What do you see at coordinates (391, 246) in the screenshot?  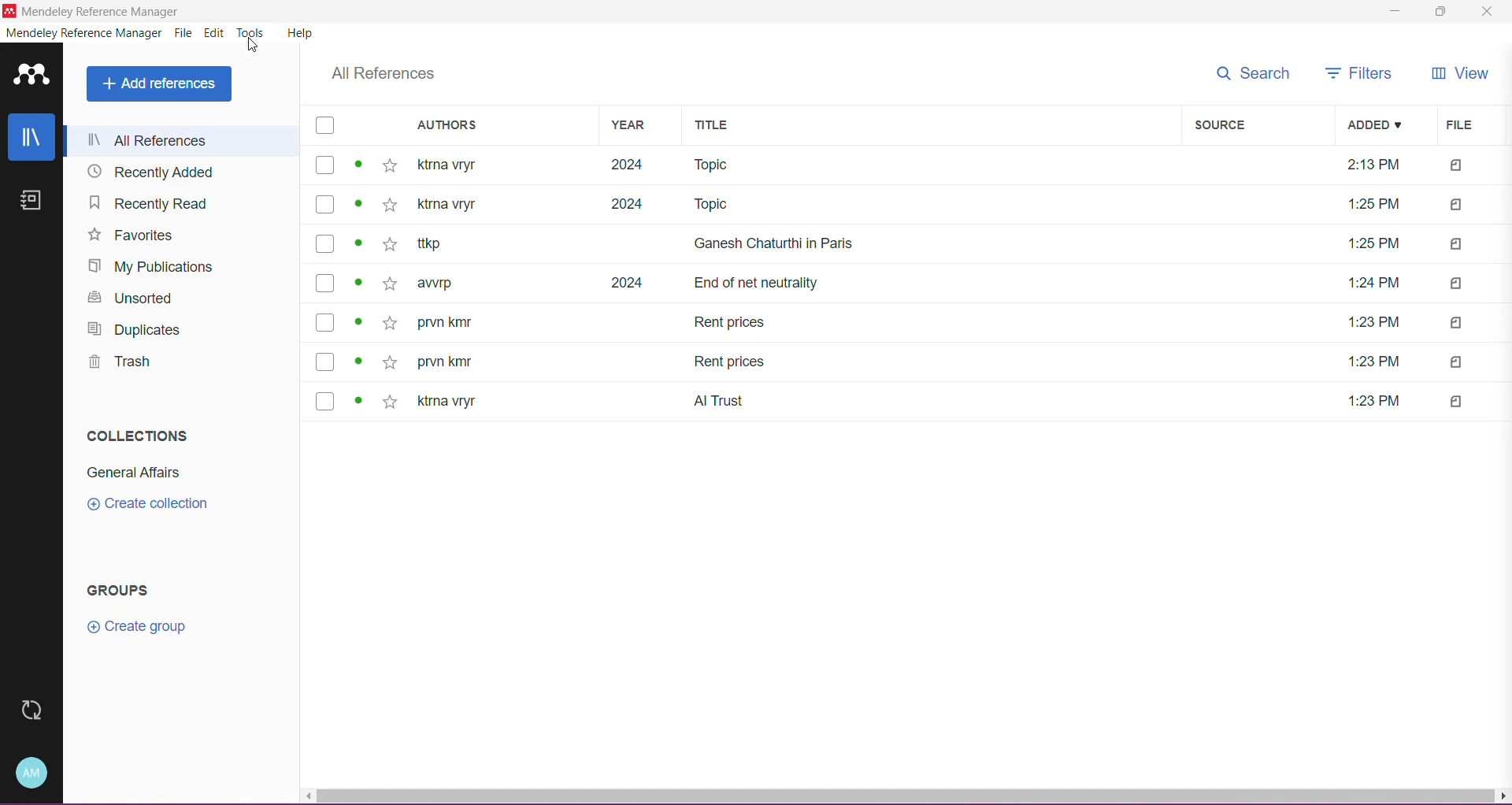 I see `favourite` at bounding box center [391, 246].